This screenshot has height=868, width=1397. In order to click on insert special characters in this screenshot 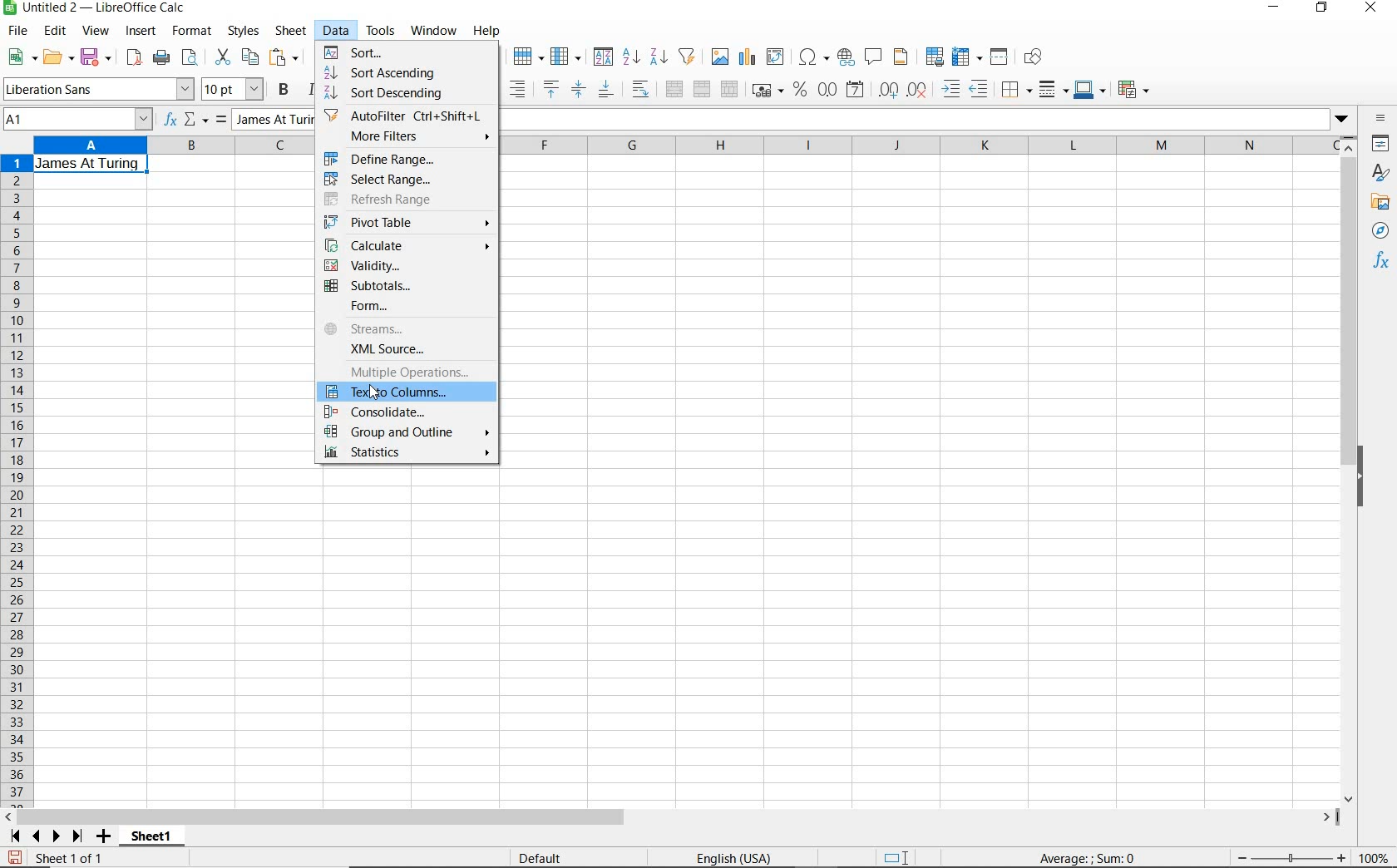, I will do `click(813, 58)`.